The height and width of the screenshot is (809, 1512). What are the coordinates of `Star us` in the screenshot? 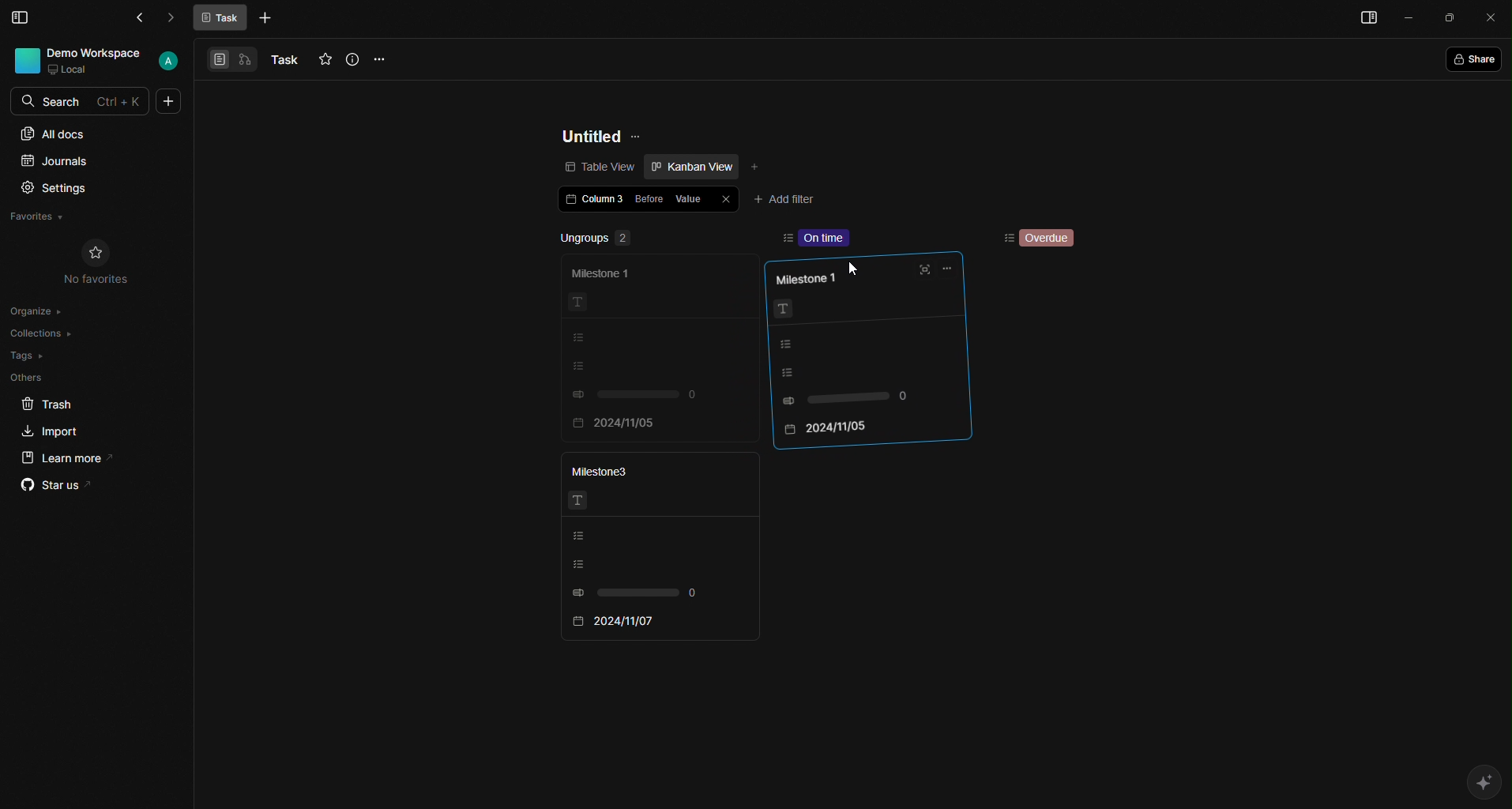 It's located at (51, 487).